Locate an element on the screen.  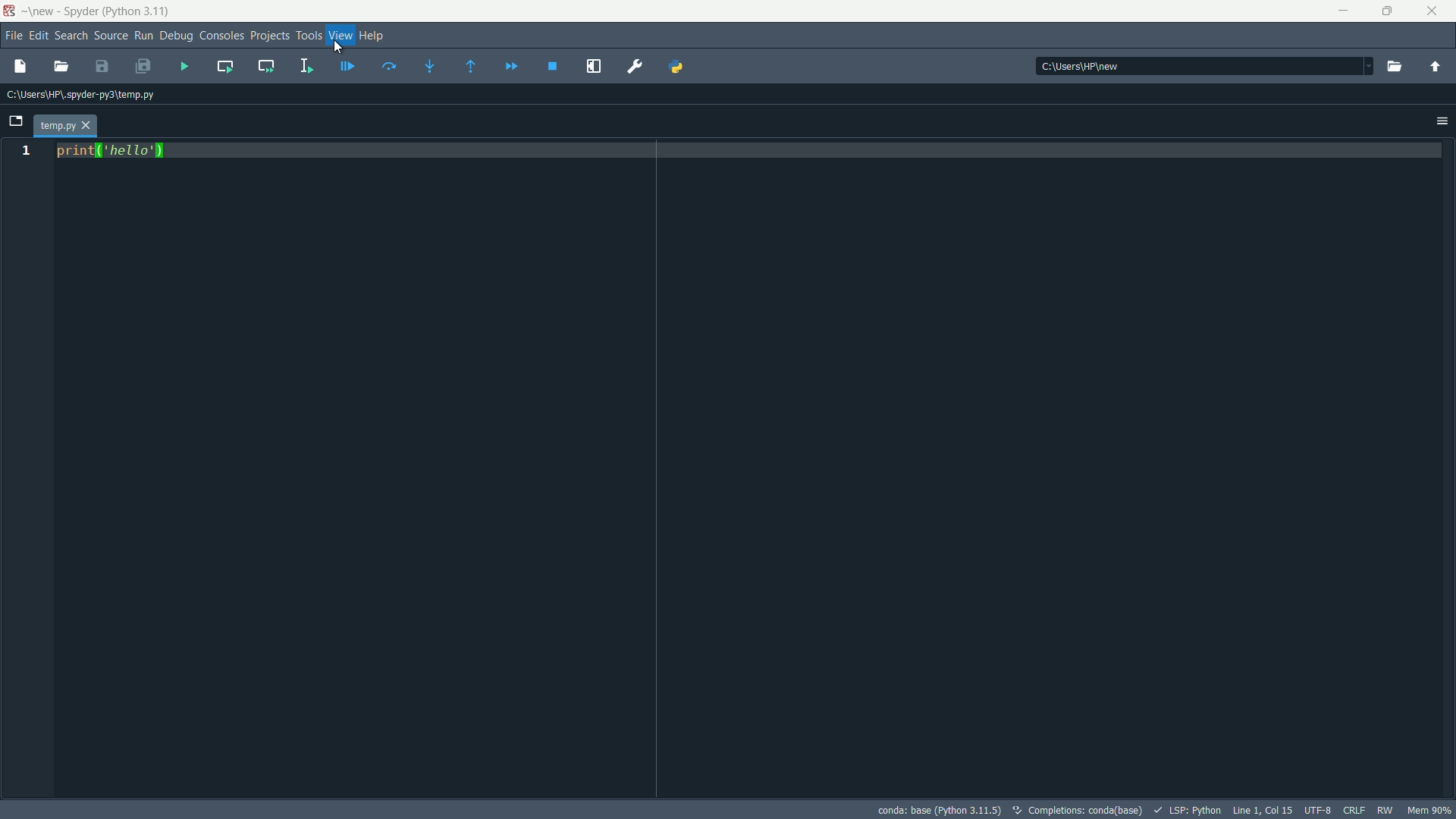
python path manager is located at coordinates (677, 67).